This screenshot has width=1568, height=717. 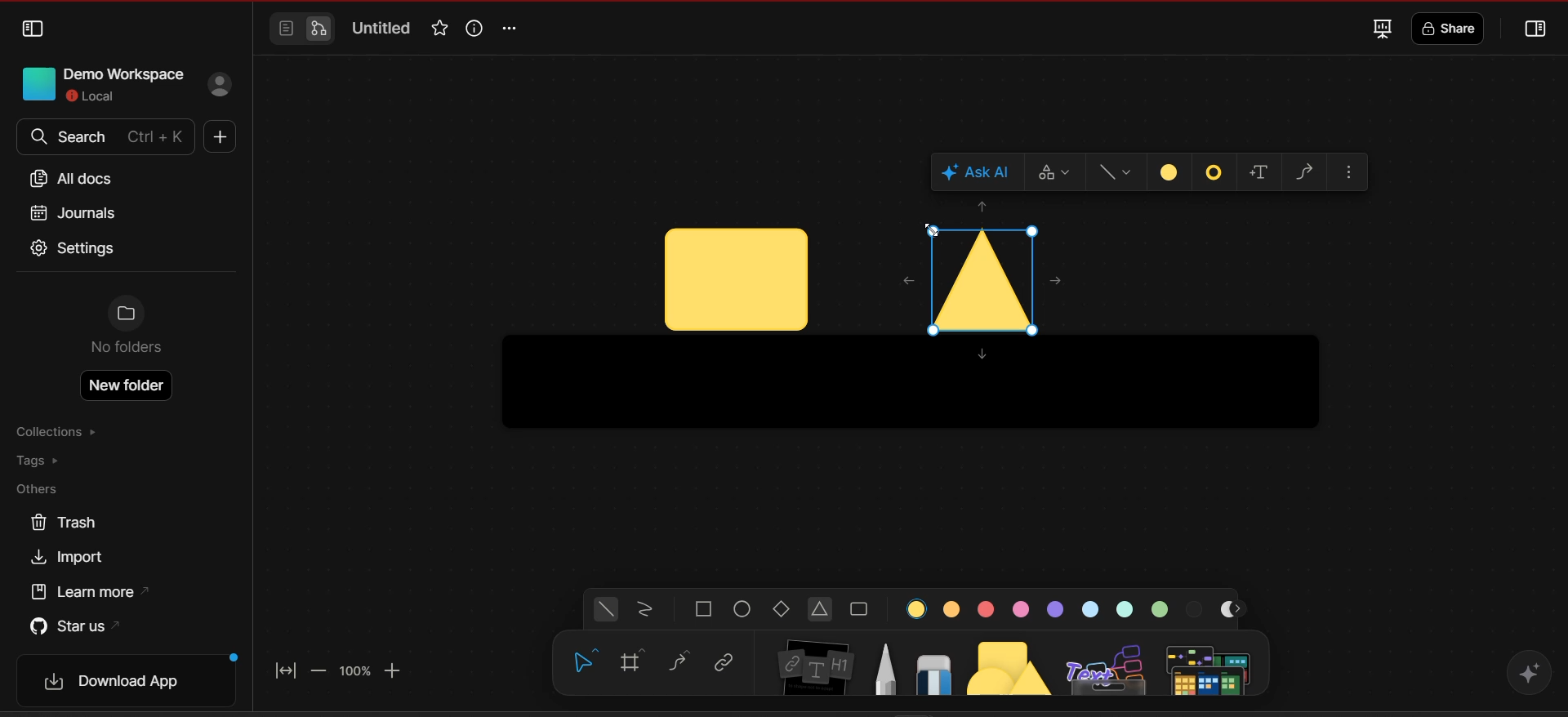 What do you see at coordinates (1307, 170) in the screenshot?
I see `draw connector` at bounding box center [1307, 170].